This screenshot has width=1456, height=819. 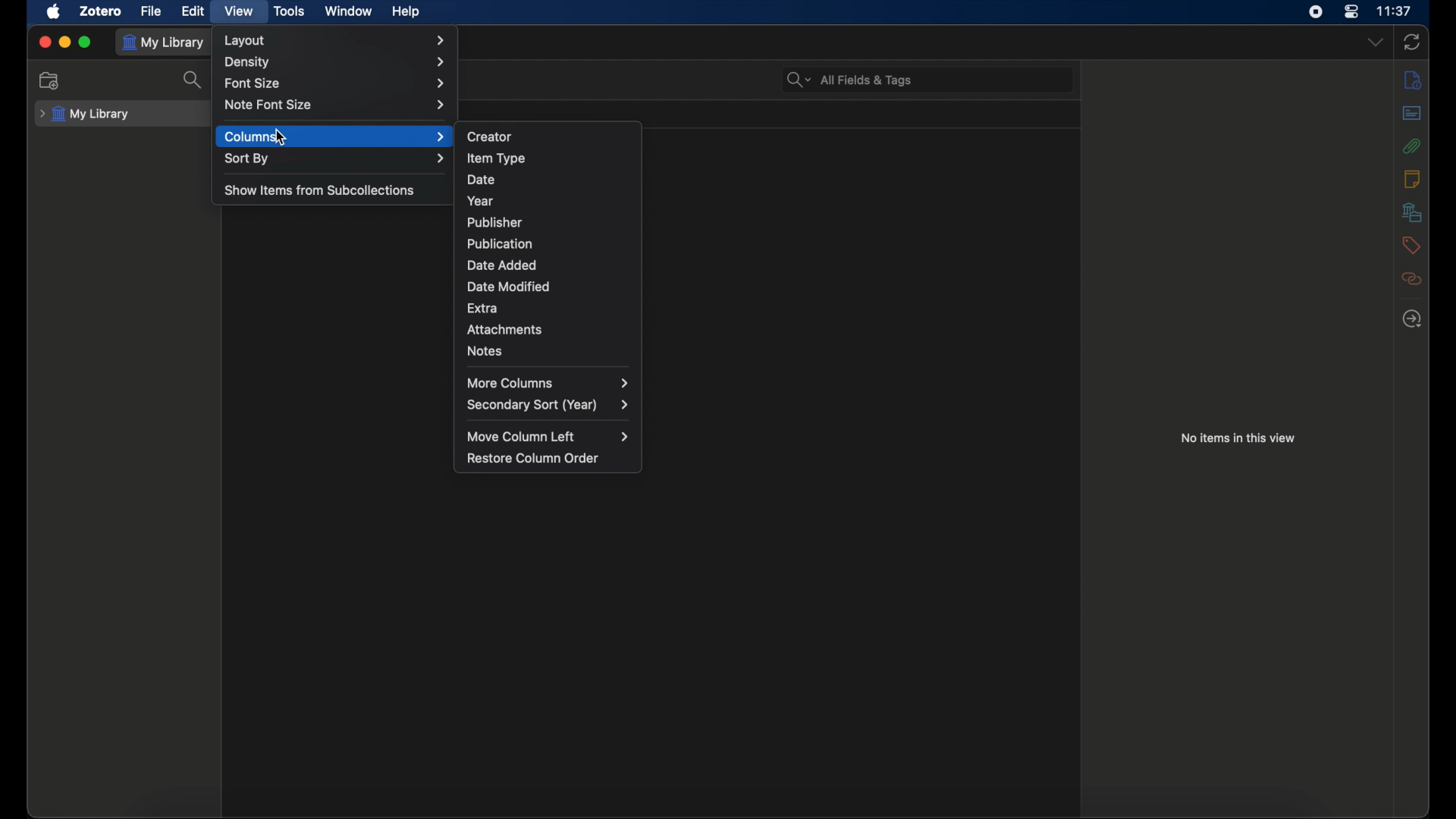 What do you see at coordinates (337, 105) in the screenshot?
I see `note font size` at bounding box center [337, 105].